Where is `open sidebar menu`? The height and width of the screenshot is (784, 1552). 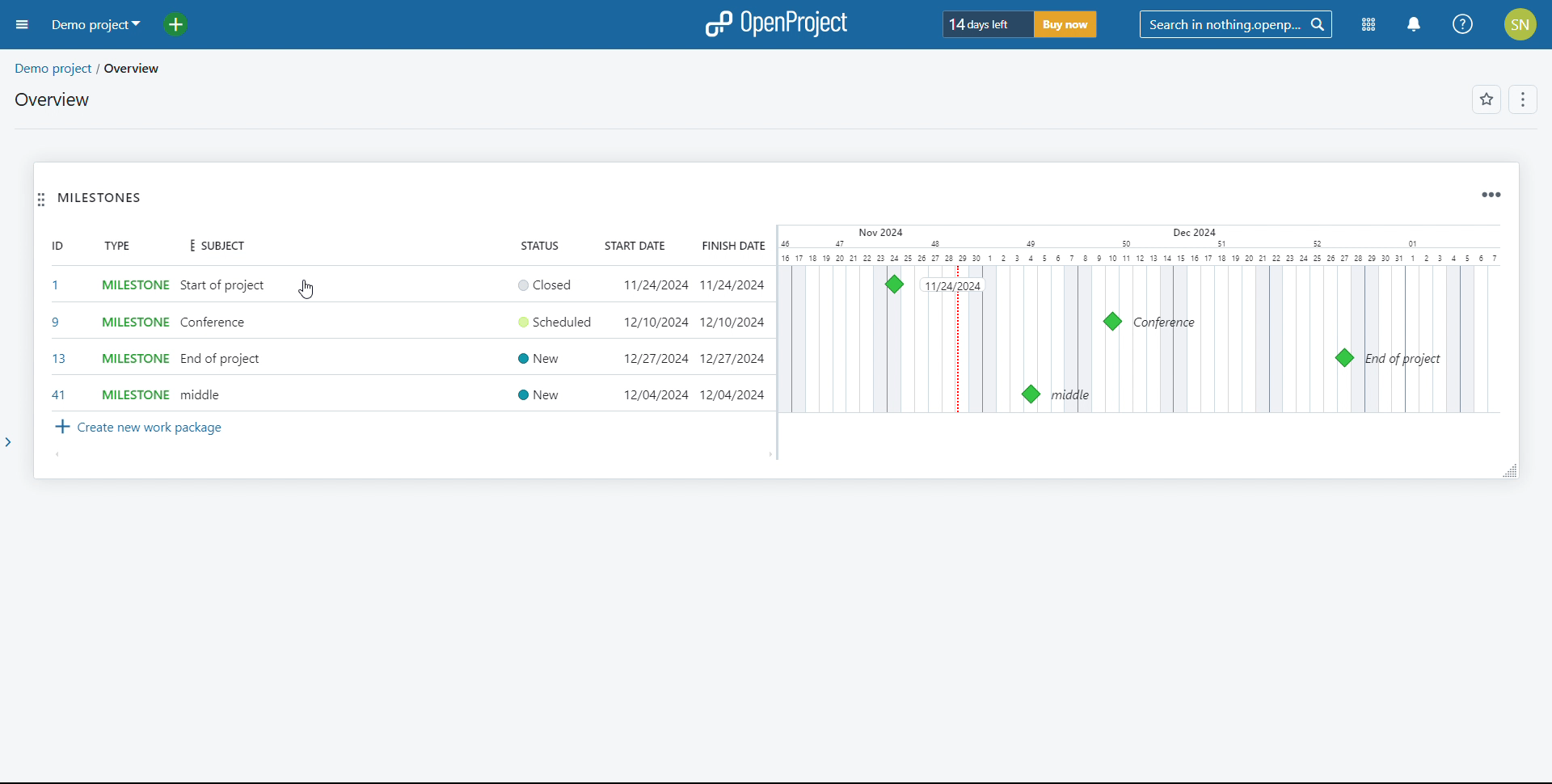 open sidebar menu is located at coordinates (23, 24).